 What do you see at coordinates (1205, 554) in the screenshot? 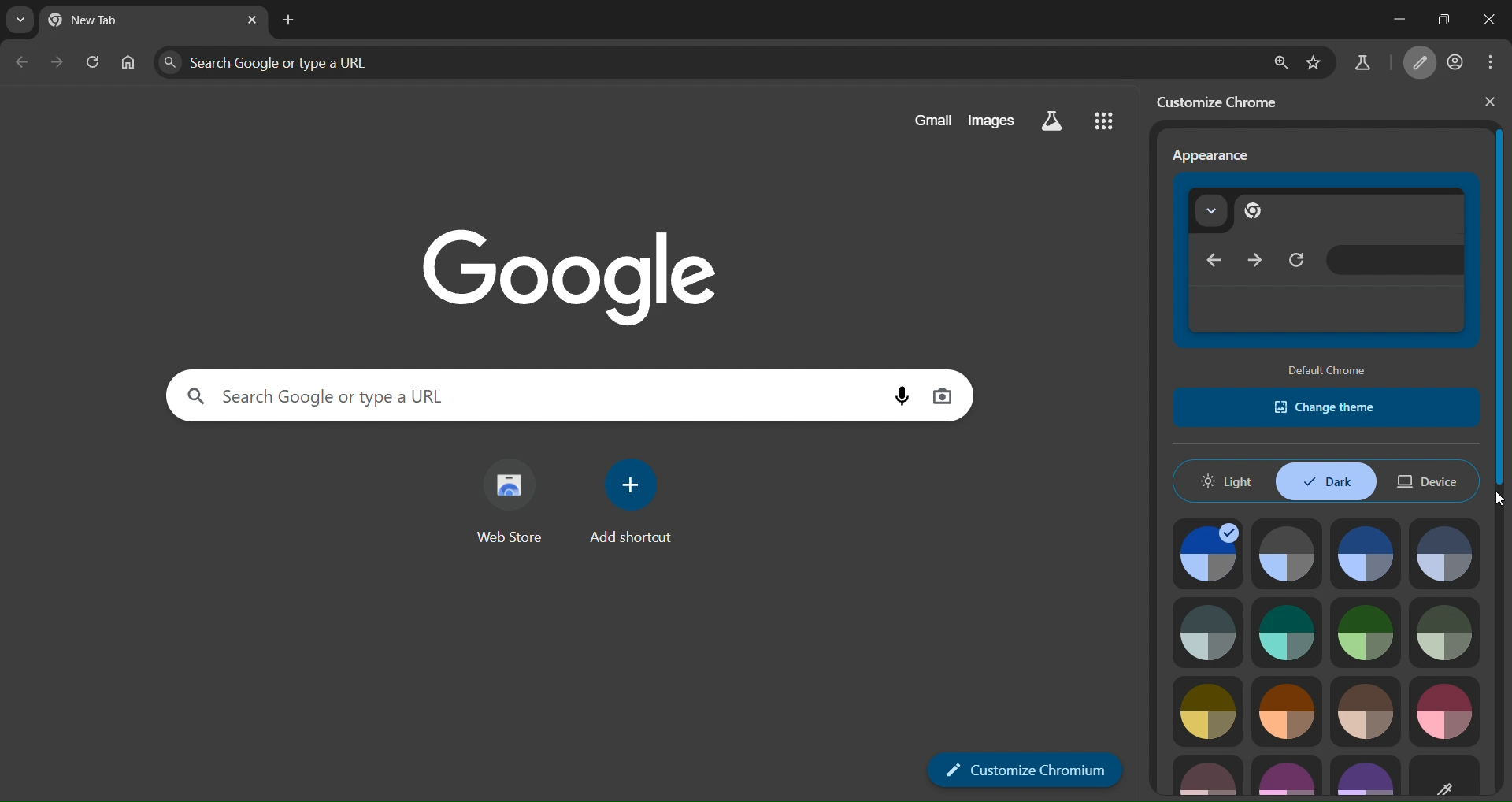
I see `theme` at bounding box center [1205, 554].